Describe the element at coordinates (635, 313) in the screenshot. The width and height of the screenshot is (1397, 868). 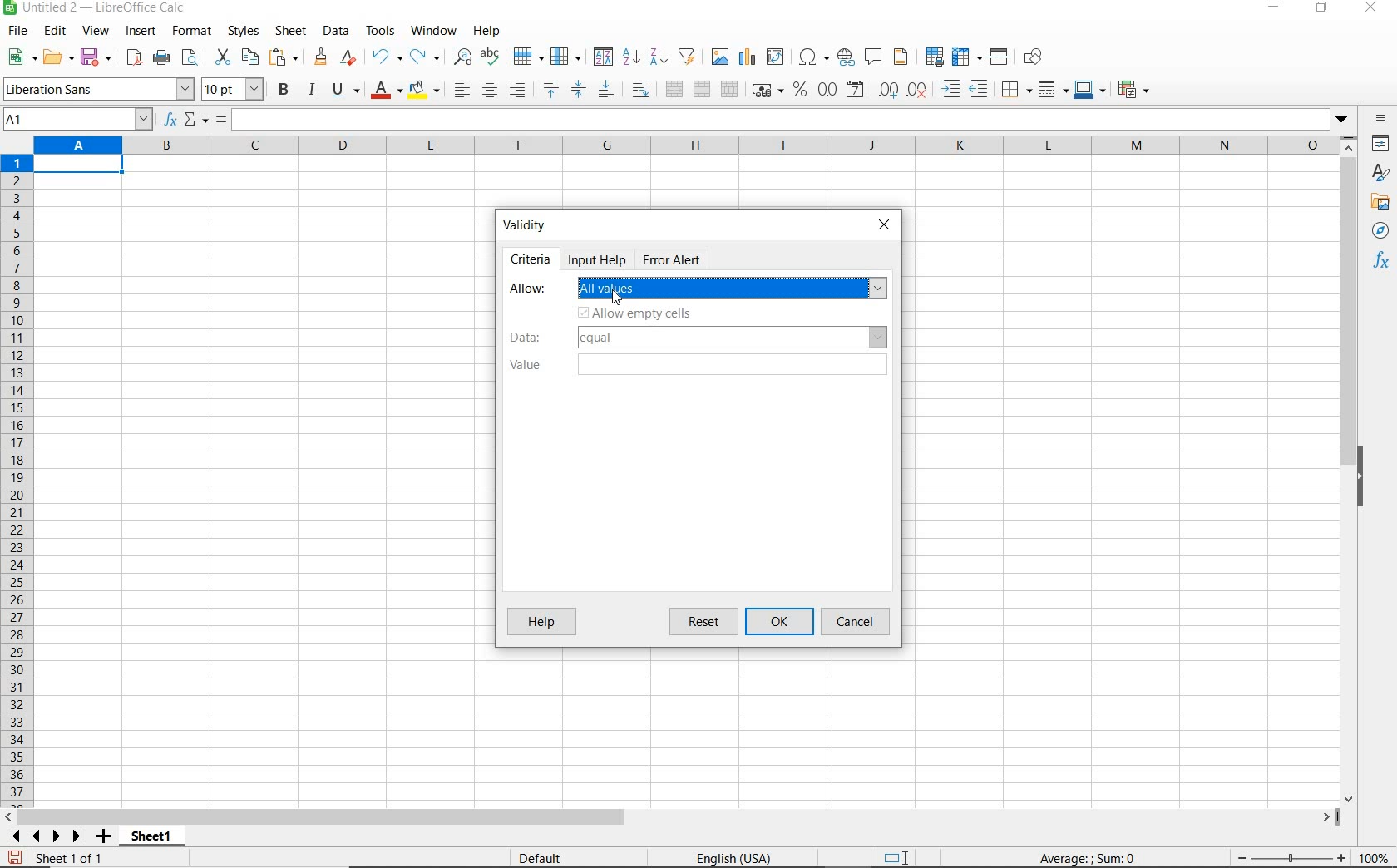
I see `allow empty cells` at that location.